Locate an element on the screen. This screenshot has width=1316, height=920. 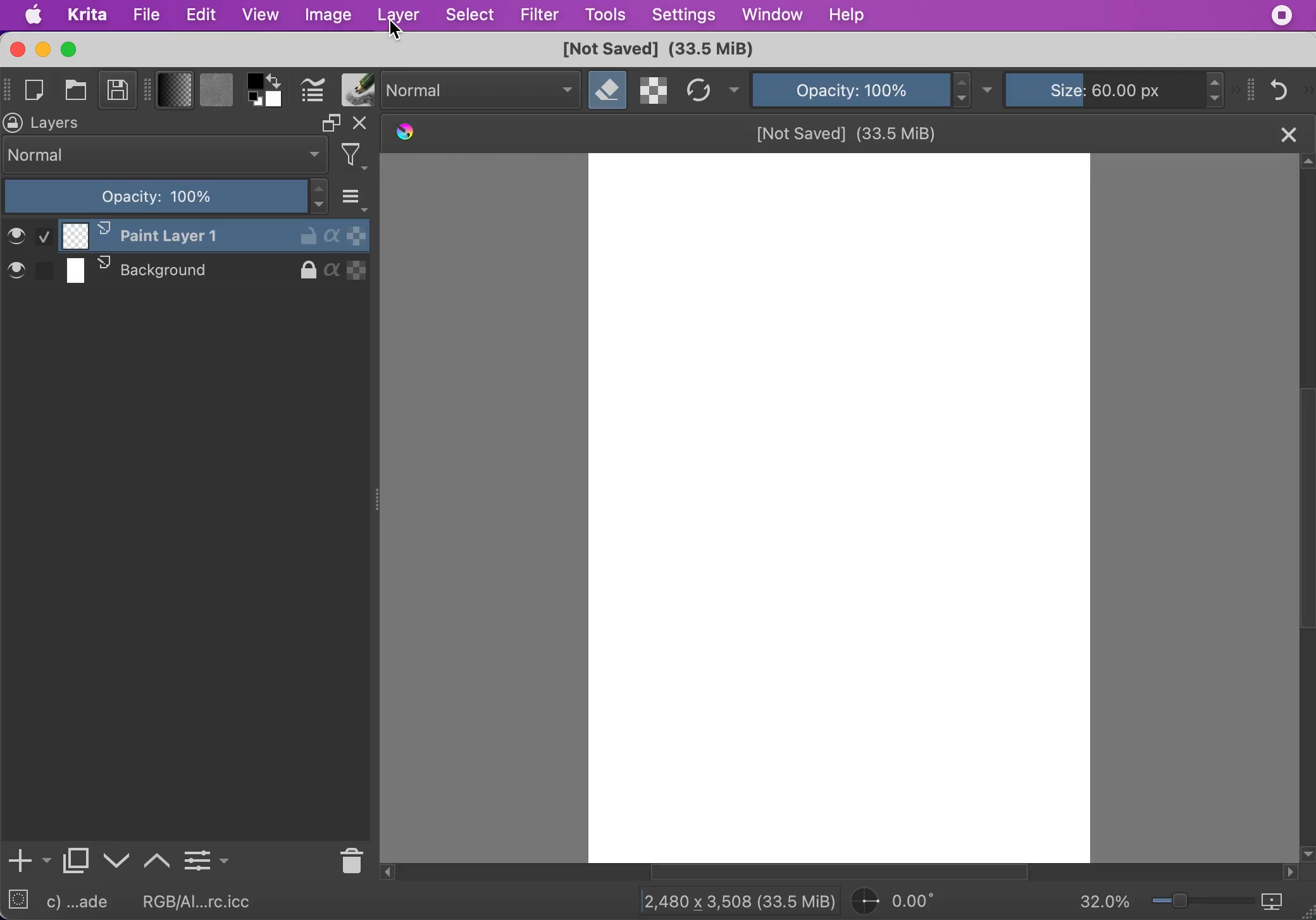
help is located at coordinates (850, 15).